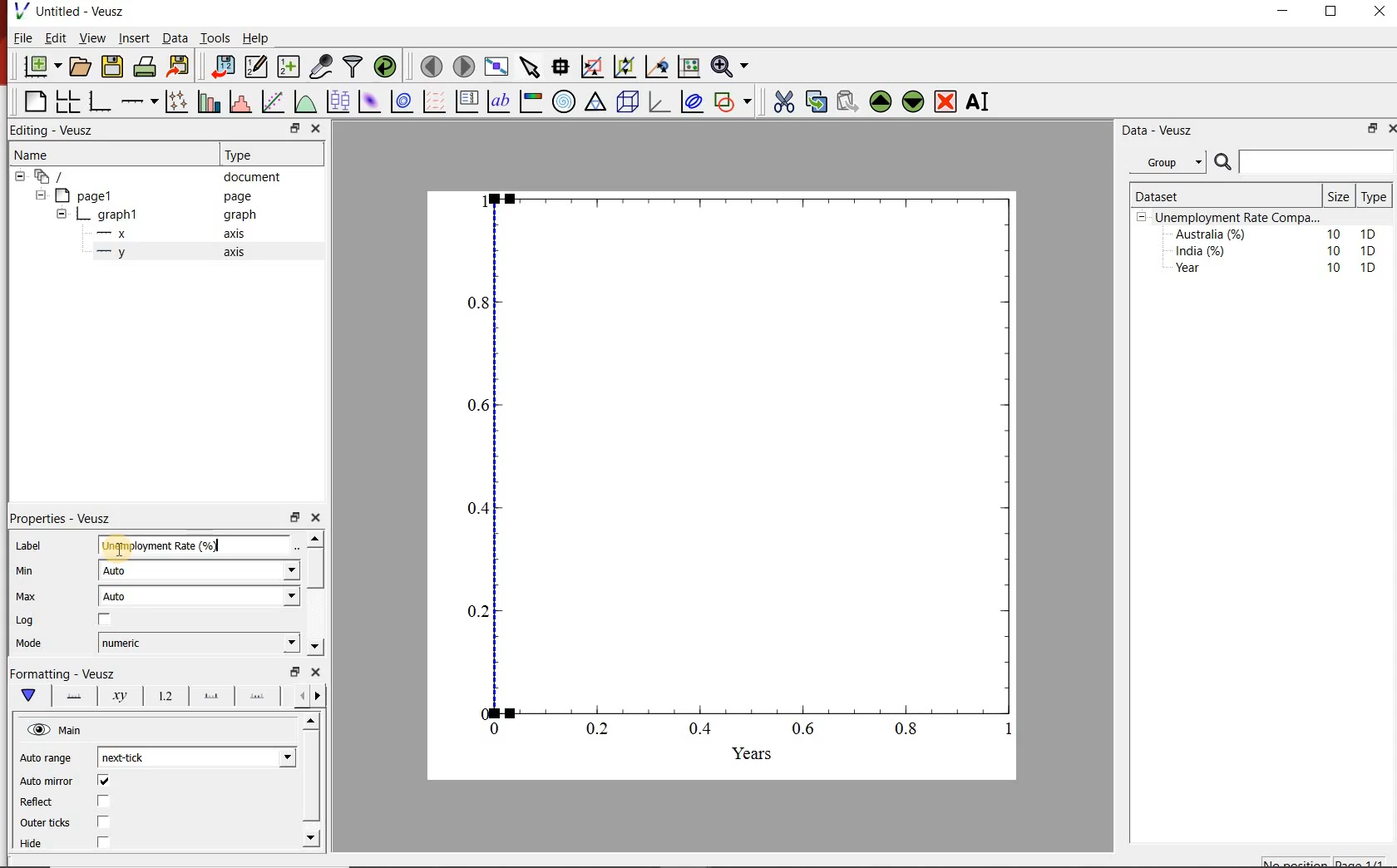  What do you see at coordinates (106, 782) in the screenshot?
I see `checkbox` at bounding box center [106, 782].